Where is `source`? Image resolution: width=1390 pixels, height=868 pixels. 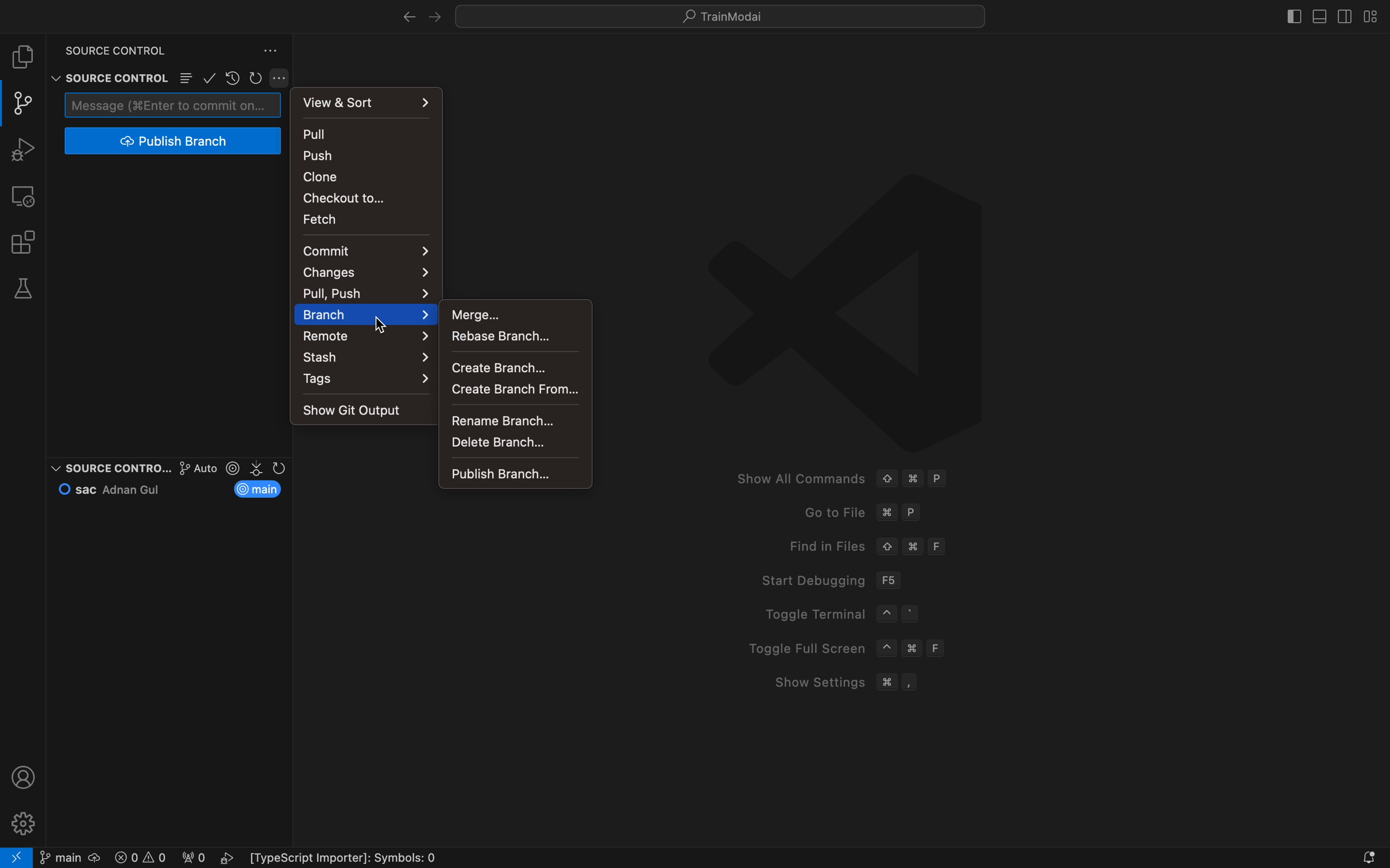 source is located at coordinates (109, 464).